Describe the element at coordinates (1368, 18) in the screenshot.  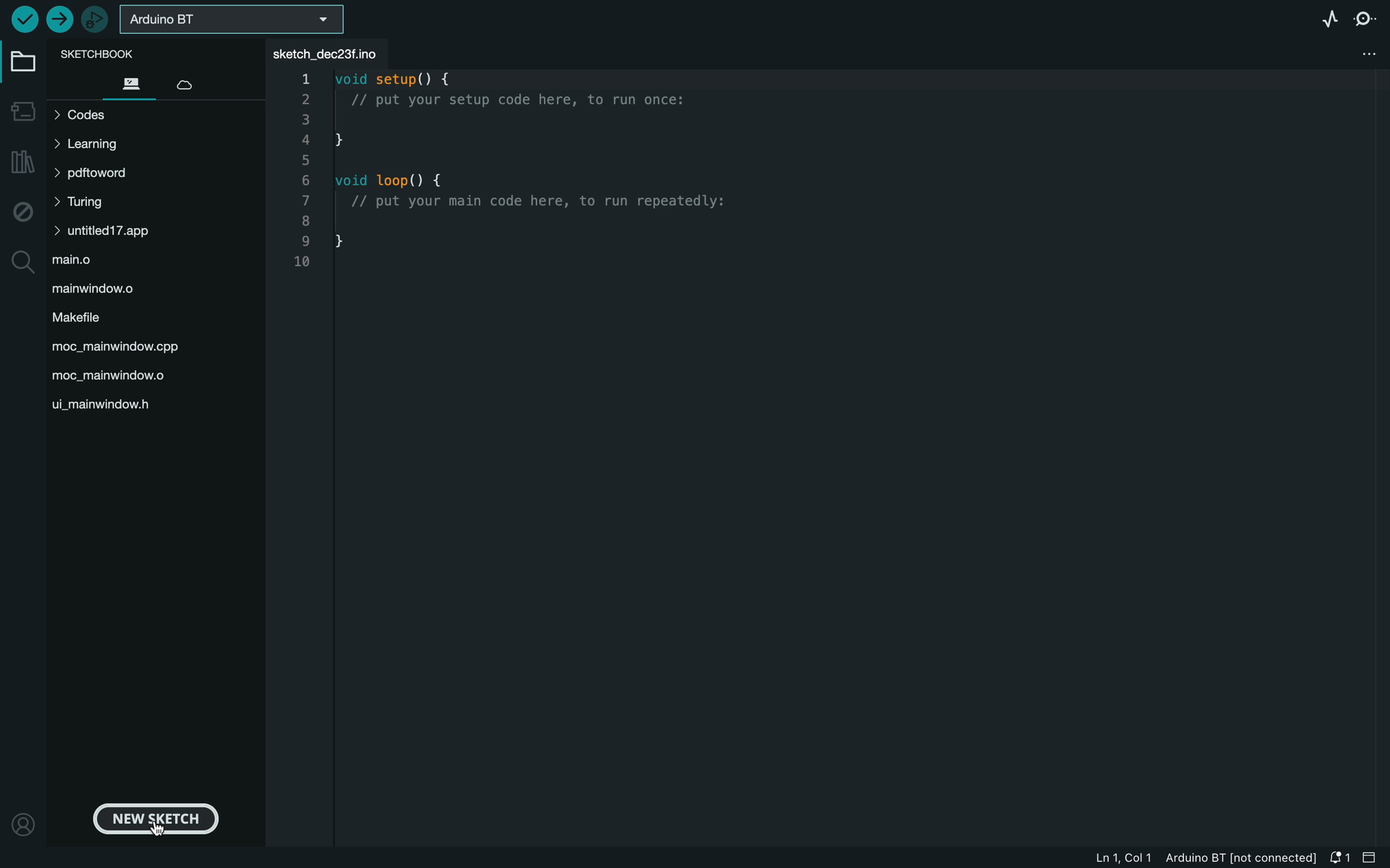
I see `serial monitor` at that location.